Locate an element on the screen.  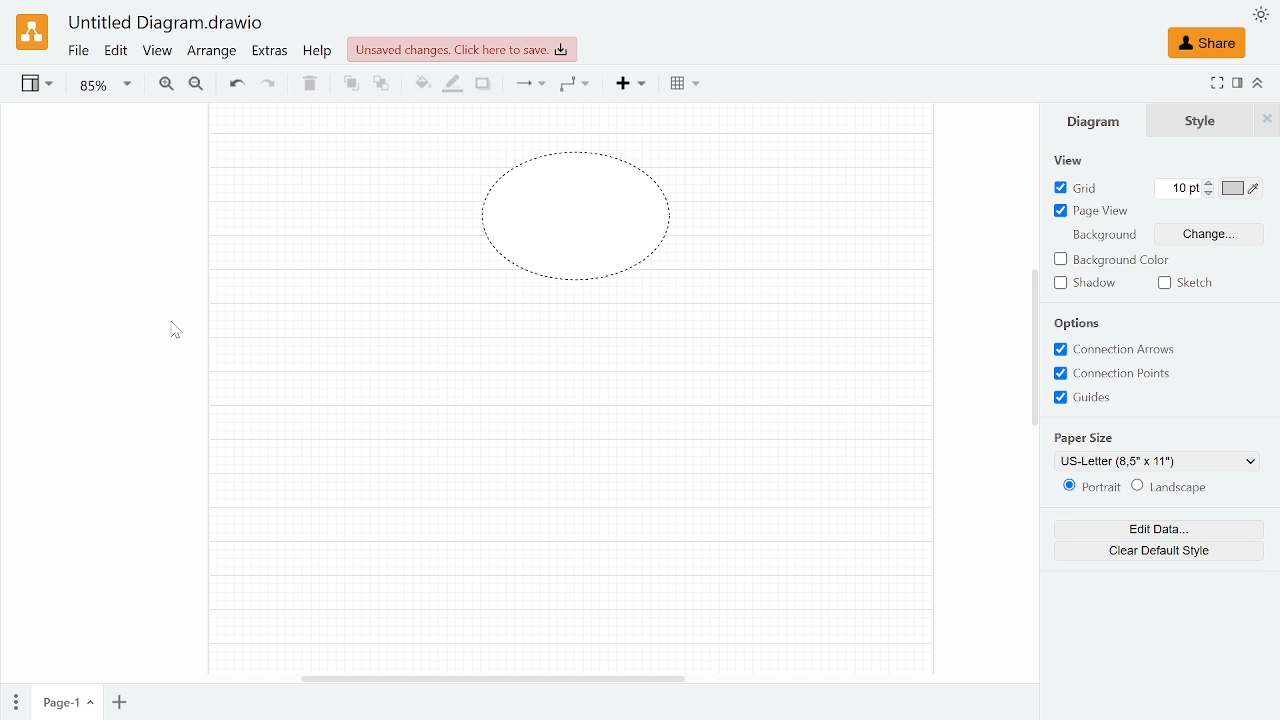
Page view is located at coordinates (1090, 212).